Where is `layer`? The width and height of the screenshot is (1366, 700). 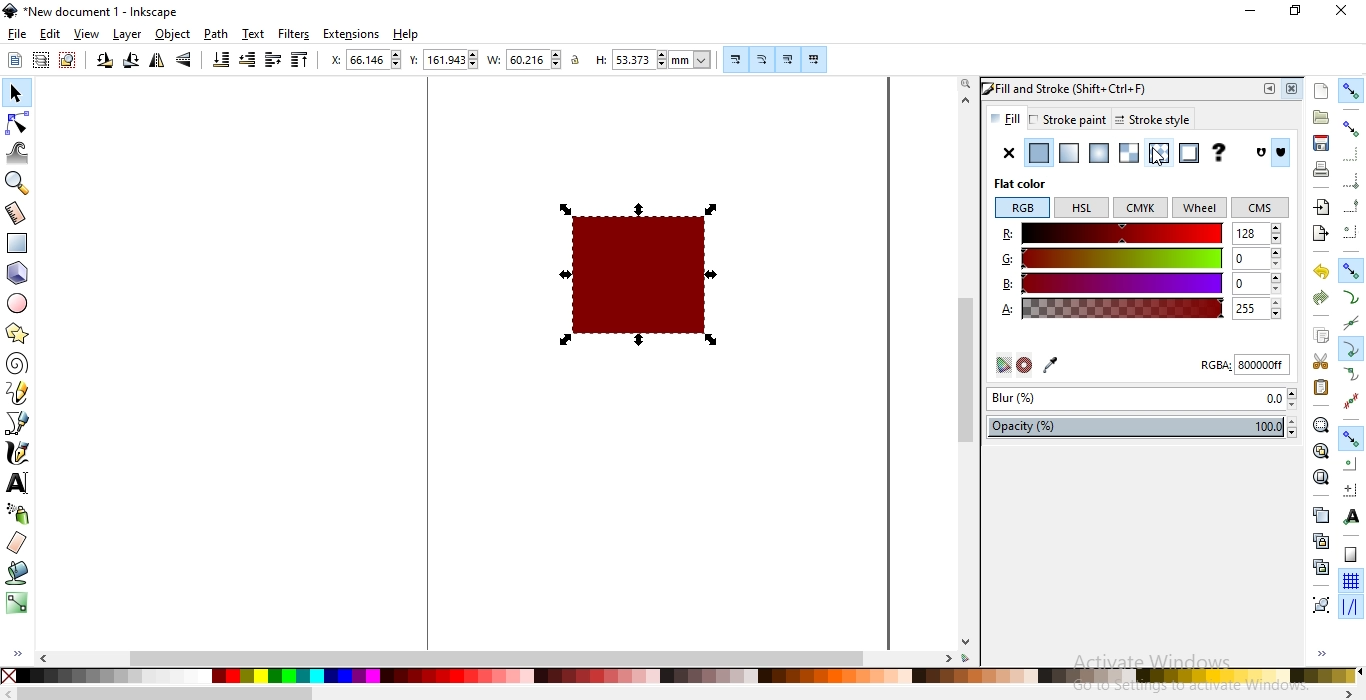 layer is located at coordinates (129, 35).